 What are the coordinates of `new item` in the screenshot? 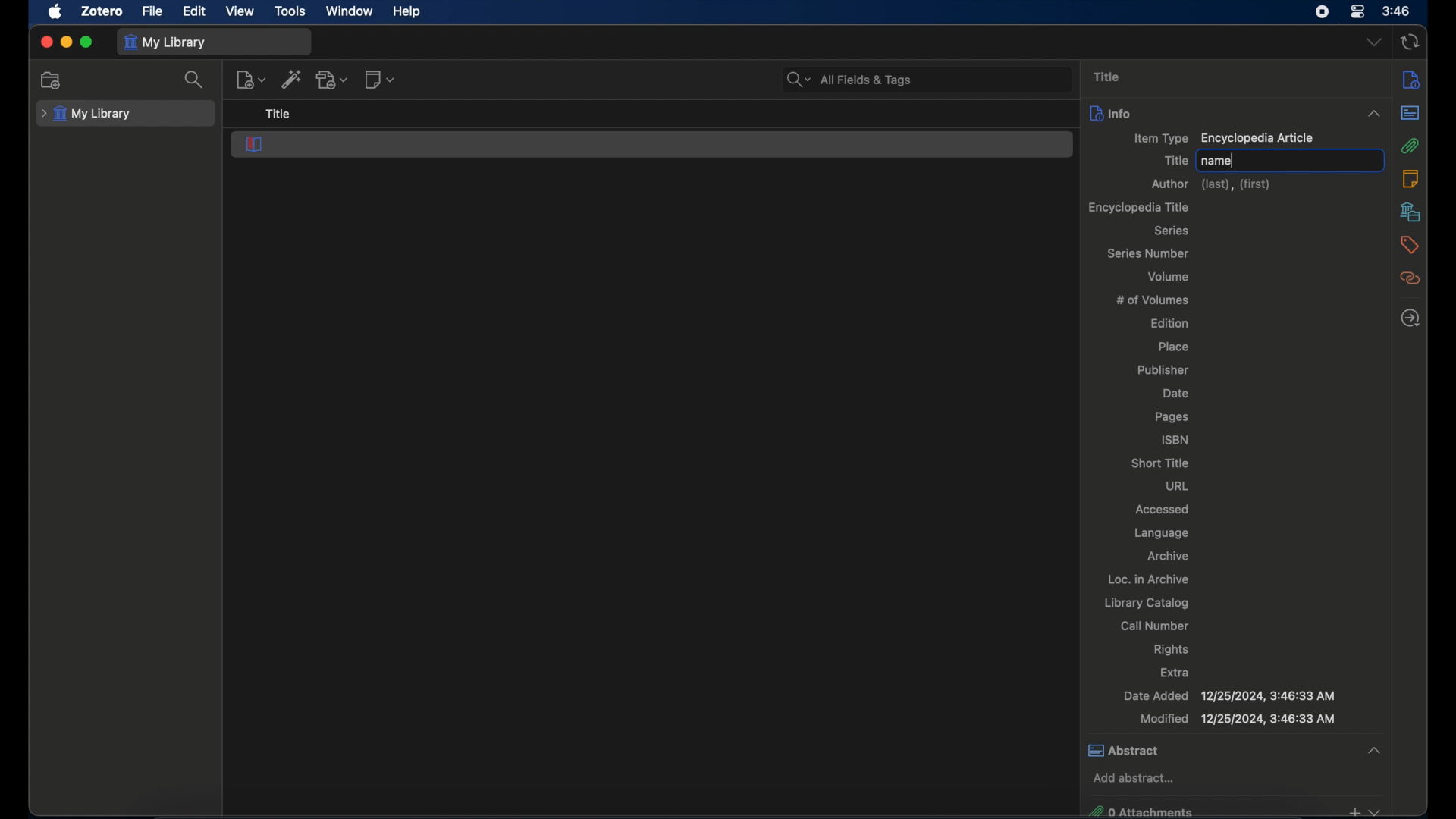 It's located at (251, 79).